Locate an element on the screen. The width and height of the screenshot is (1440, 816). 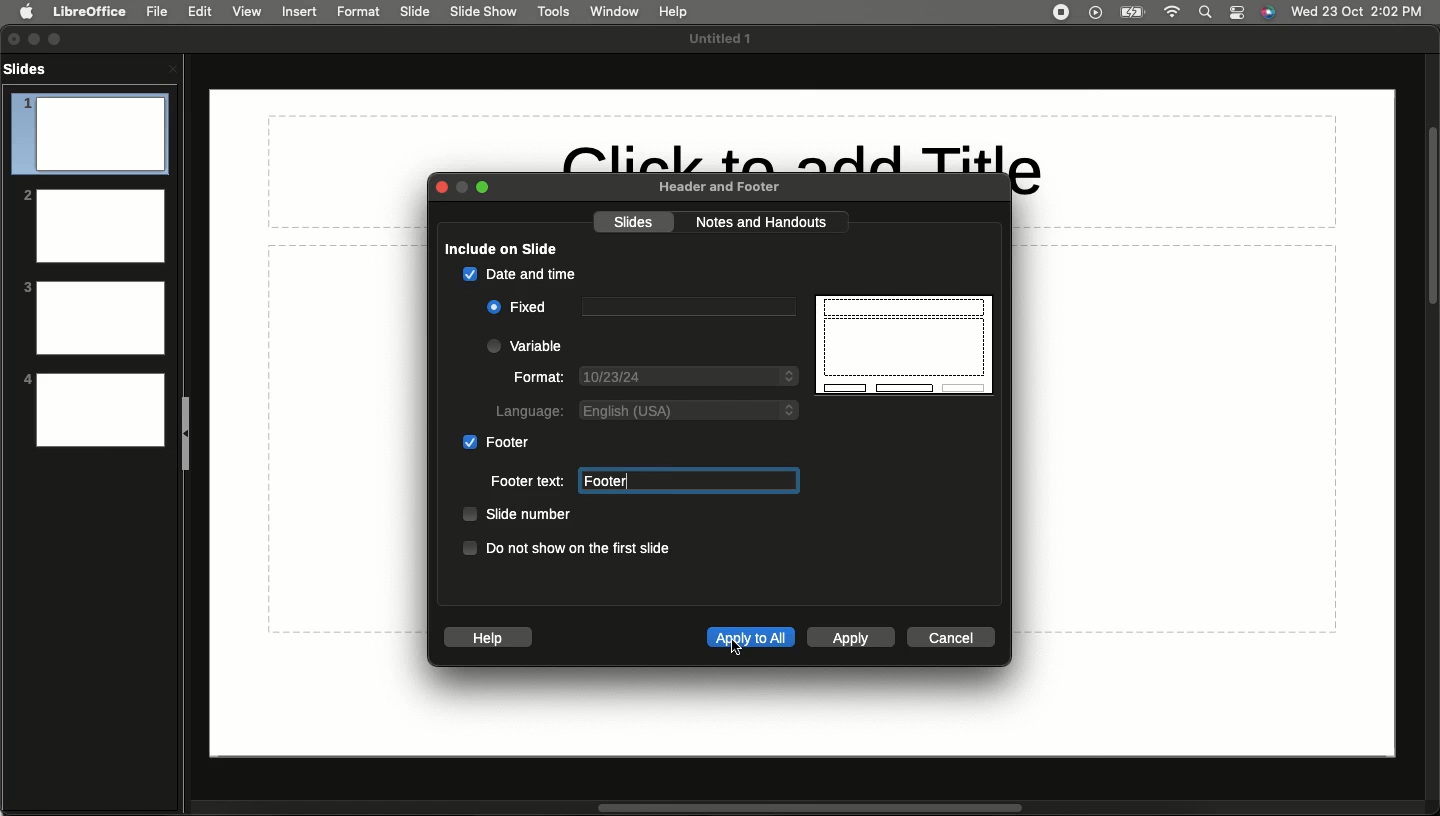
Header and footer is located at coordinates (716, 188).